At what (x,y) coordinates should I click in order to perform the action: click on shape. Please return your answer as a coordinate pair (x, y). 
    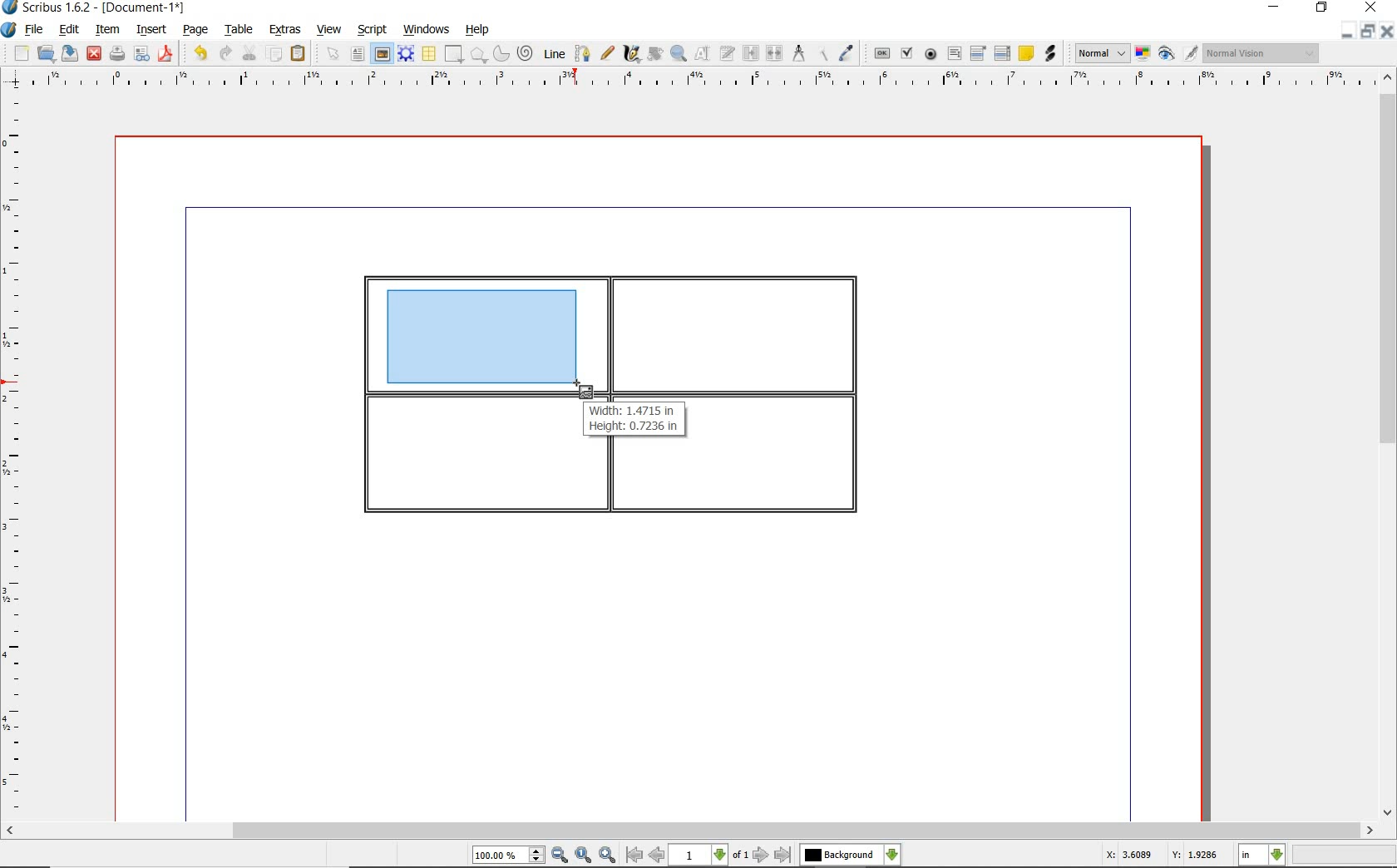
    Looking at the image, I should click on (479, 56).